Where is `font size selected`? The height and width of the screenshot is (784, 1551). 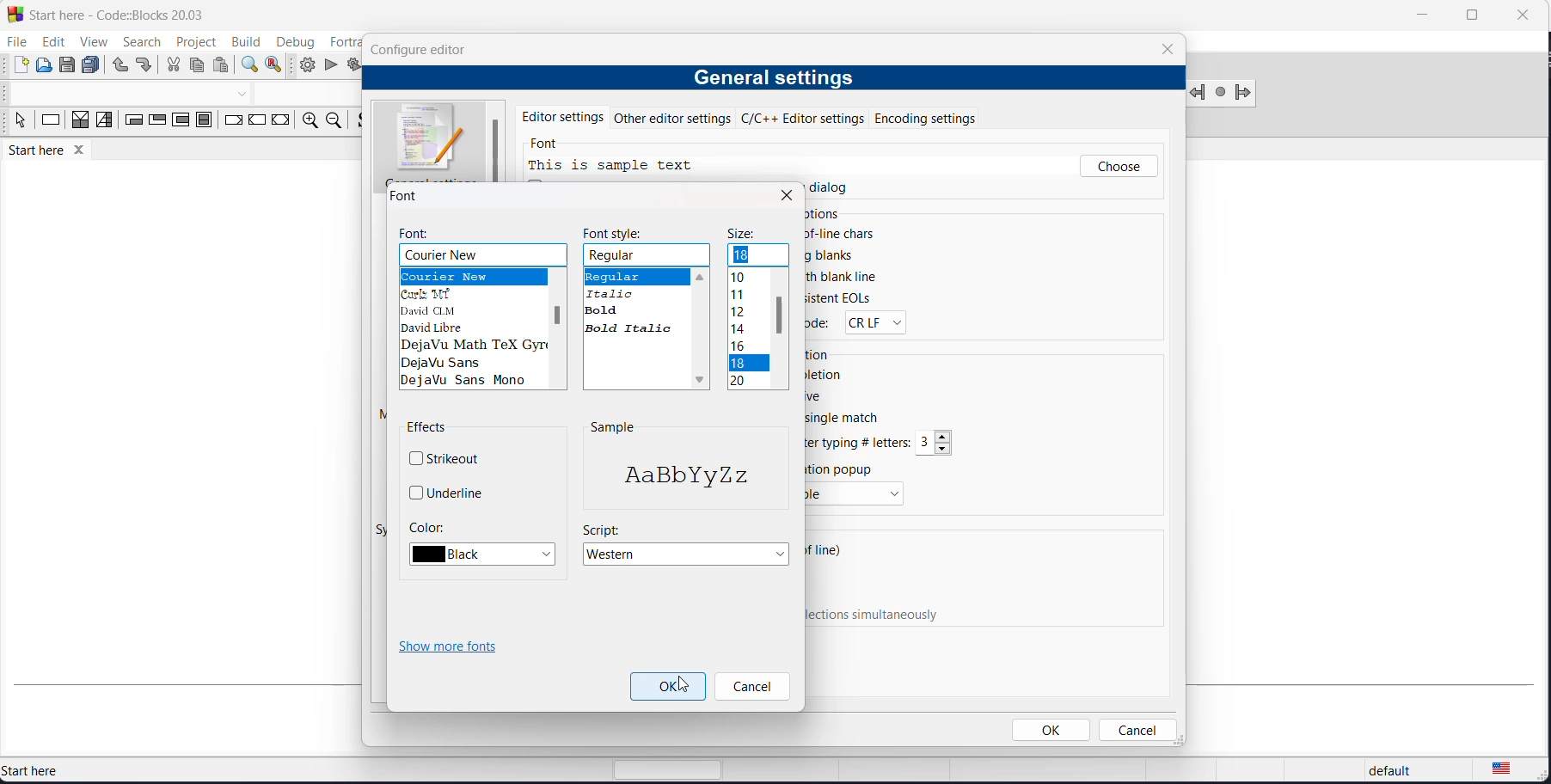
font size selected is located at coordinates (747, 364).